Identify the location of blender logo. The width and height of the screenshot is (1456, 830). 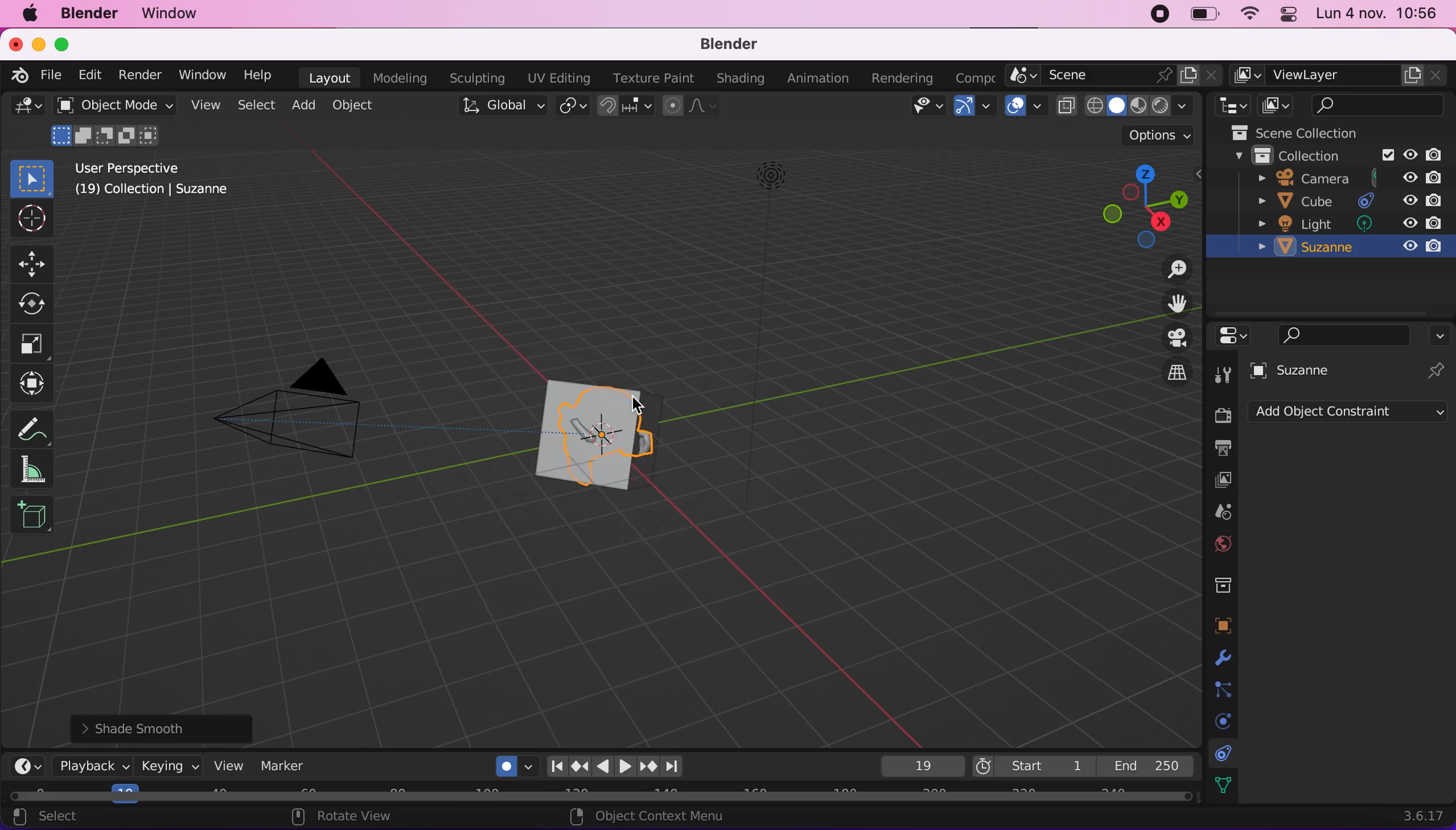
(22, 75).